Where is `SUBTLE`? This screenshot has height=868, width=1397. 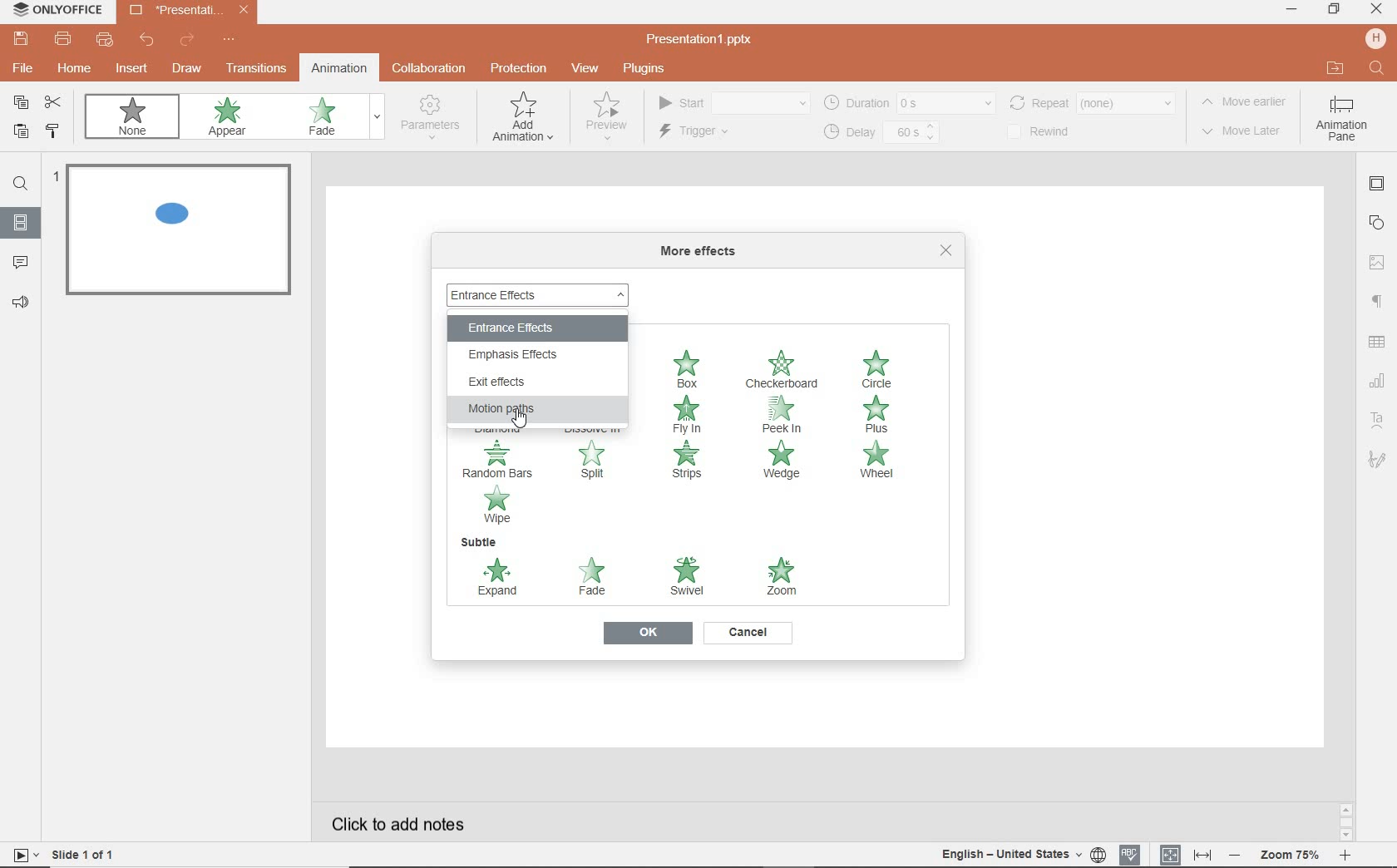
SUBTLE is located at coordinates (478, 542).